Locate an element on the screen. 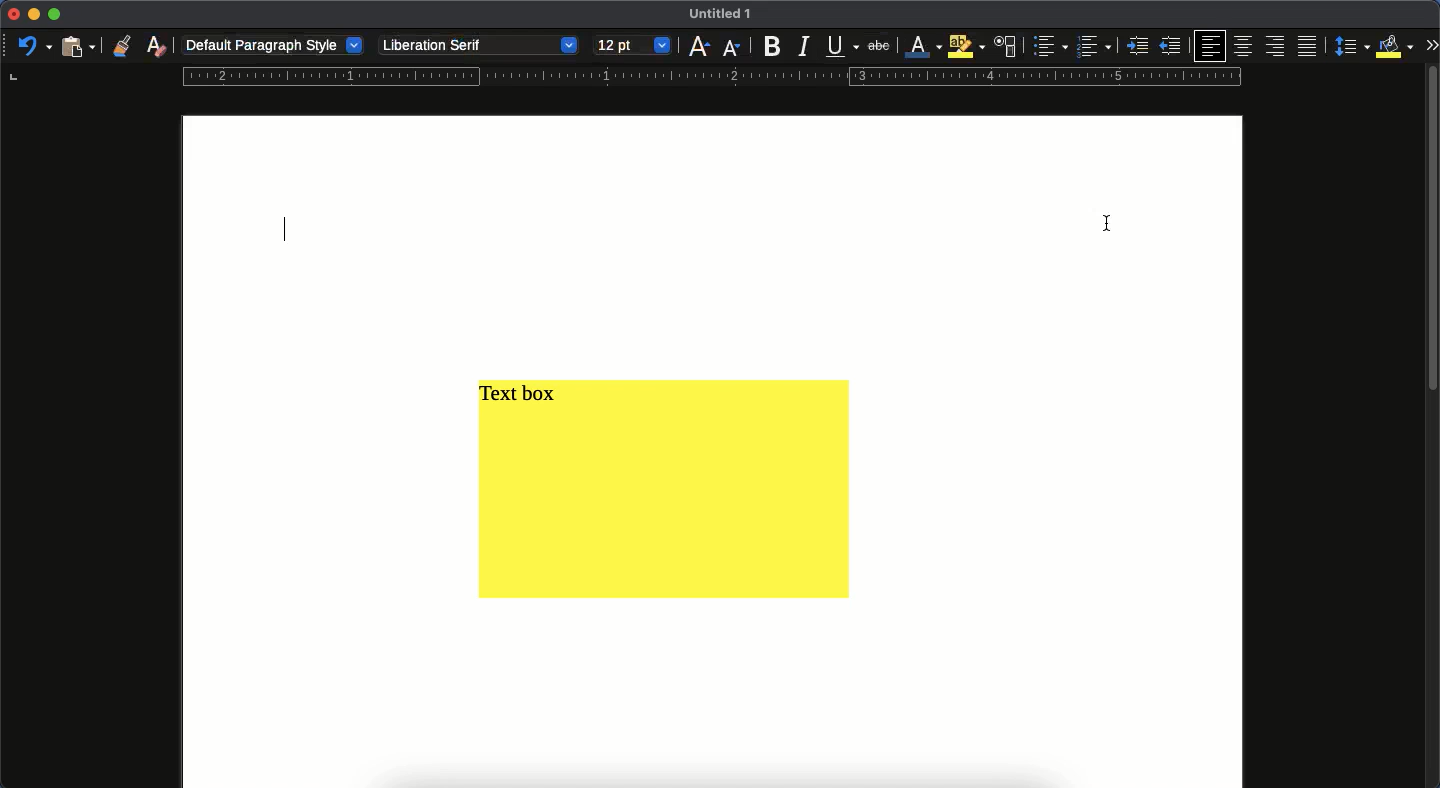 This screenshot has height=788, width=1440. unindent is located at coordinates (1173, 47).